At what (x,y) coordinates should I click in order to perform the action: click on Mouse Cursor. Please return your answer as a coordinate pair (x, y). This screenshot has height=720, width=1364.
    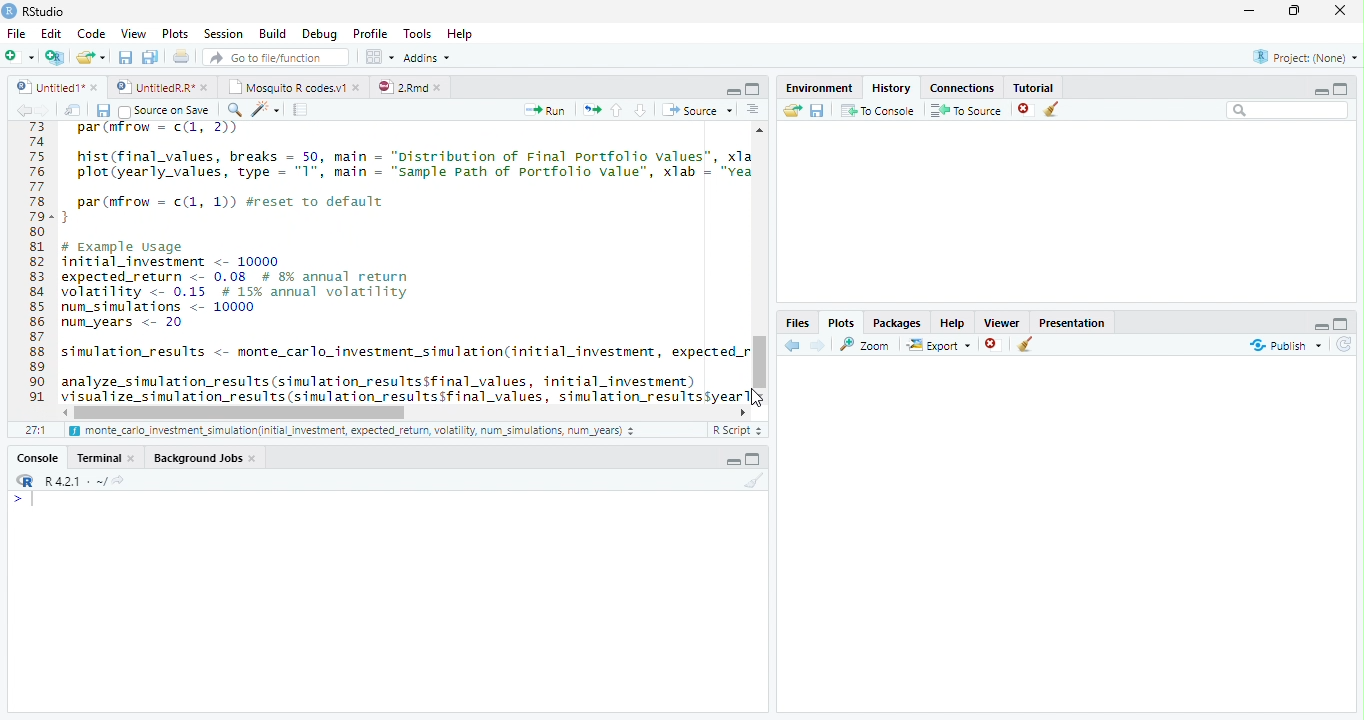
    Looking at the image, I should click on (758, 399).